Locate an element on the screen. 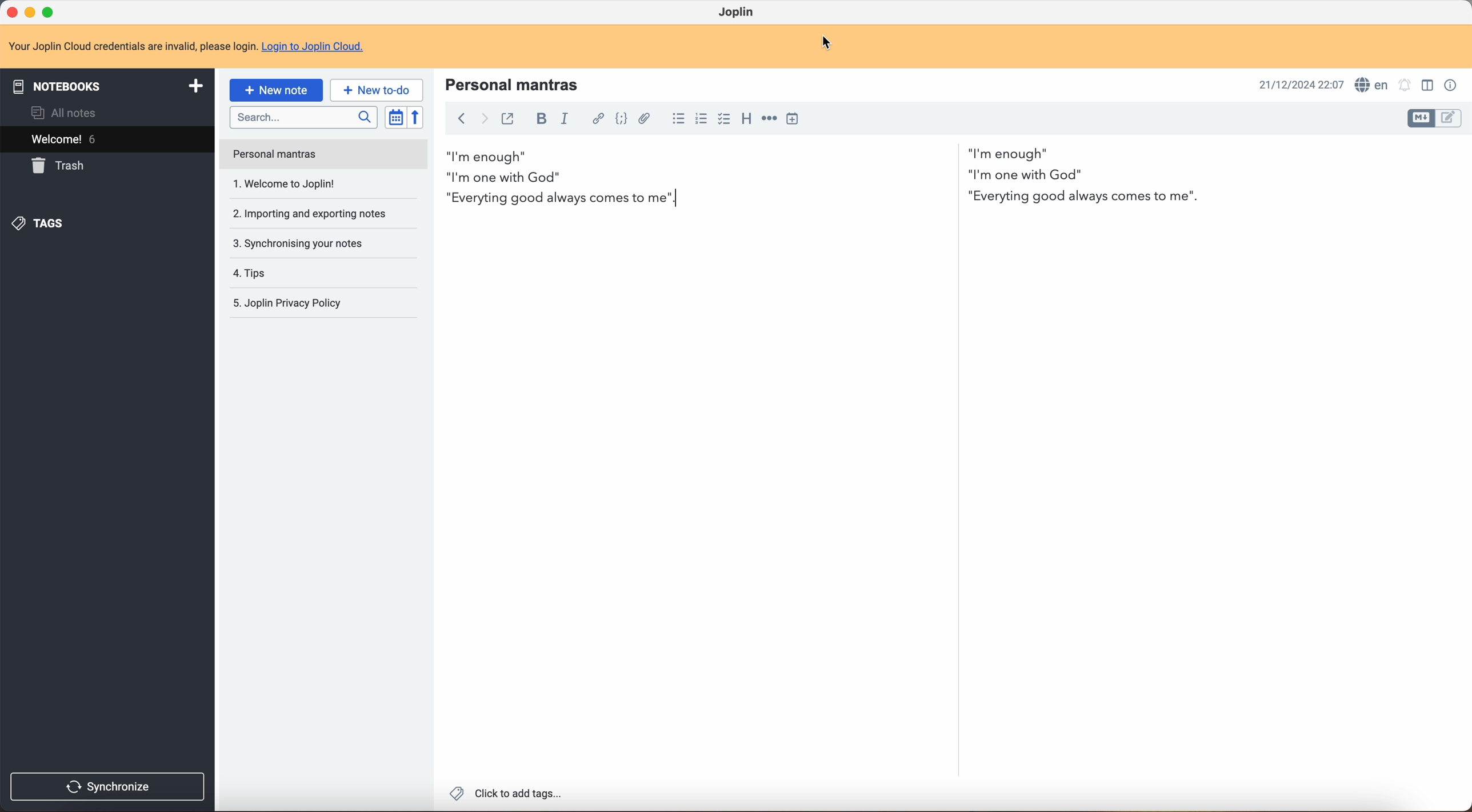 The image size is (1472, 812). bulleted list is located at coordinates (678, 119).